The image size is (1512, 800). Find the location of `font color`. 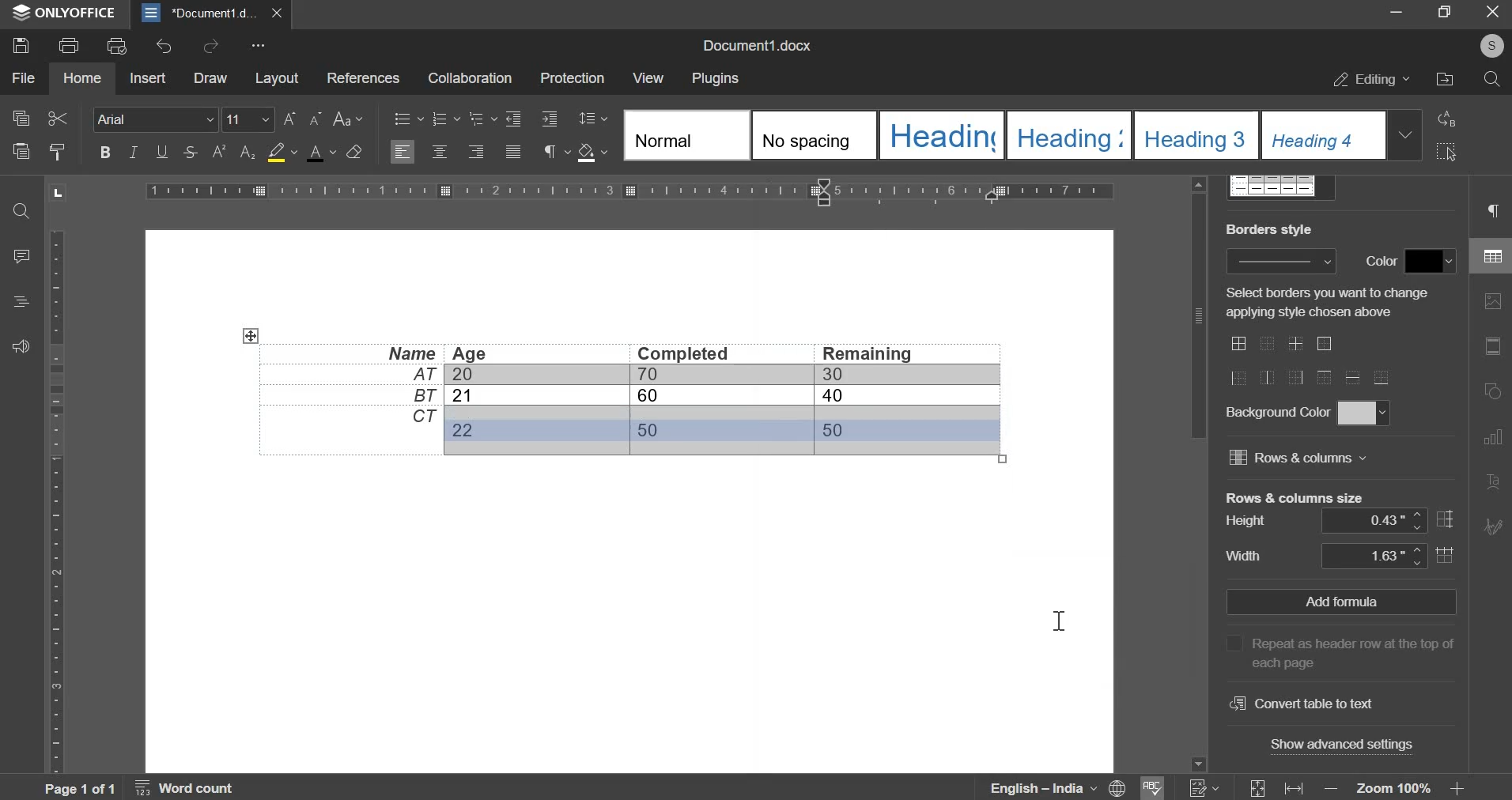

font color is located at coordinates (320, 153).